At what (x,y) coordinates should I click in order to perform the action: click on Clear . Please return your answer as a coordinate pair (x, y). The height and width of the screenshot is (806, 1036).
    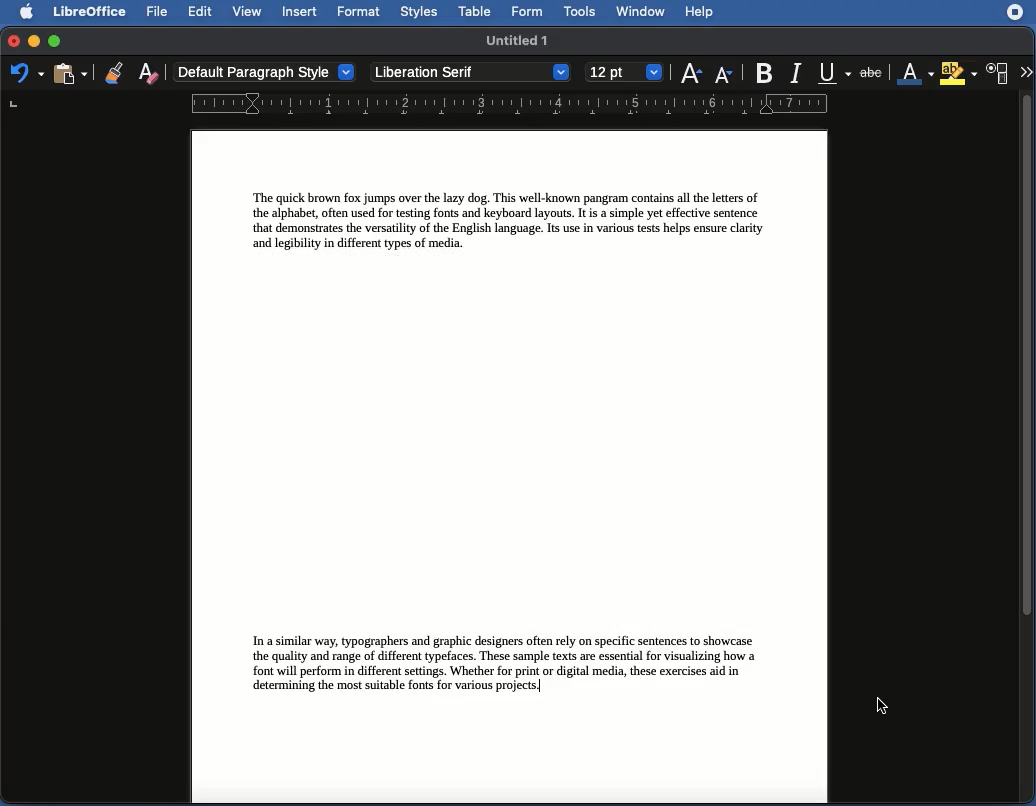
    Looking at the image, I should click on (149, 72).